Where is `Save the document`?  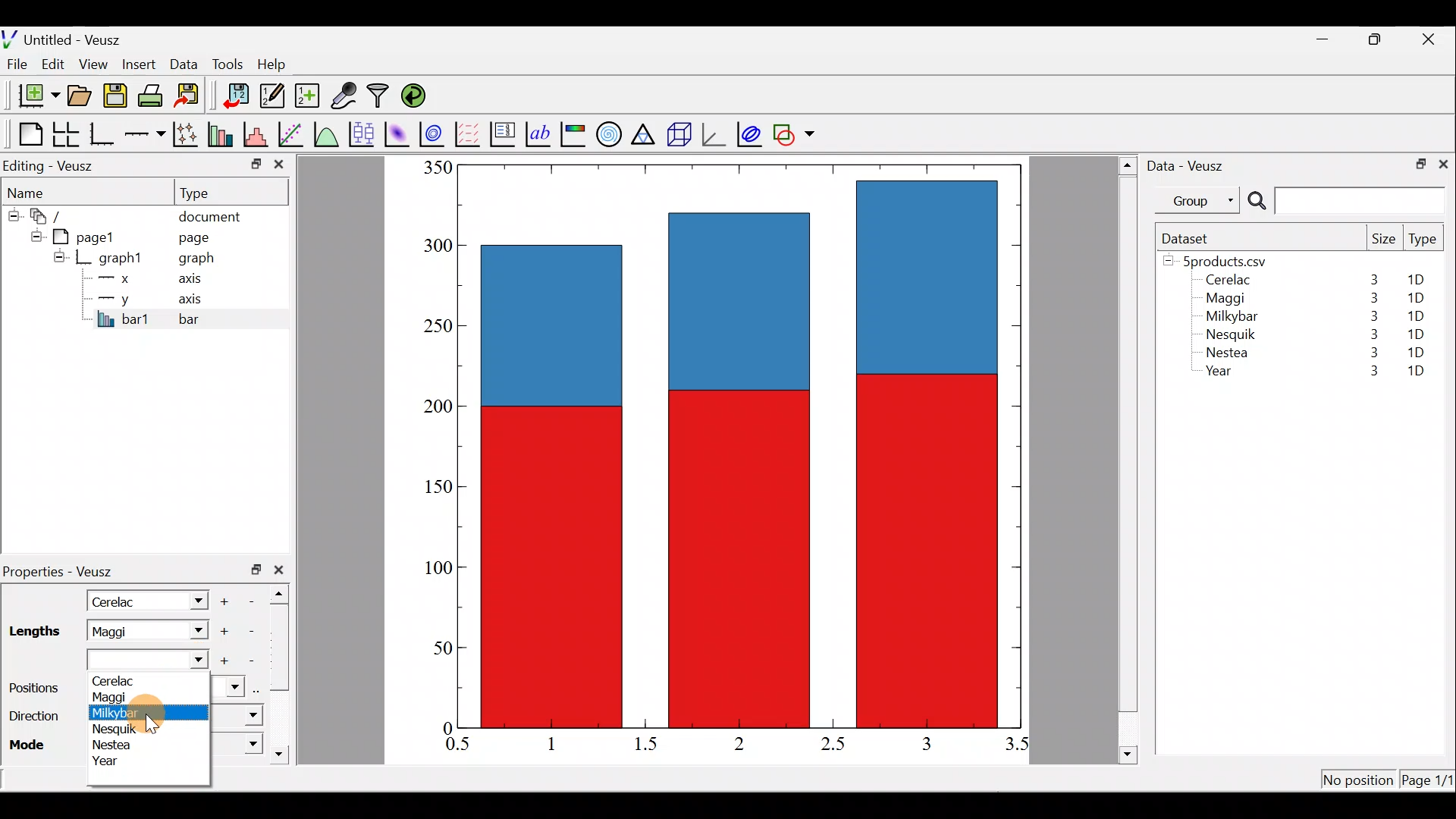
Save the document is located at coordinates (117, 99).